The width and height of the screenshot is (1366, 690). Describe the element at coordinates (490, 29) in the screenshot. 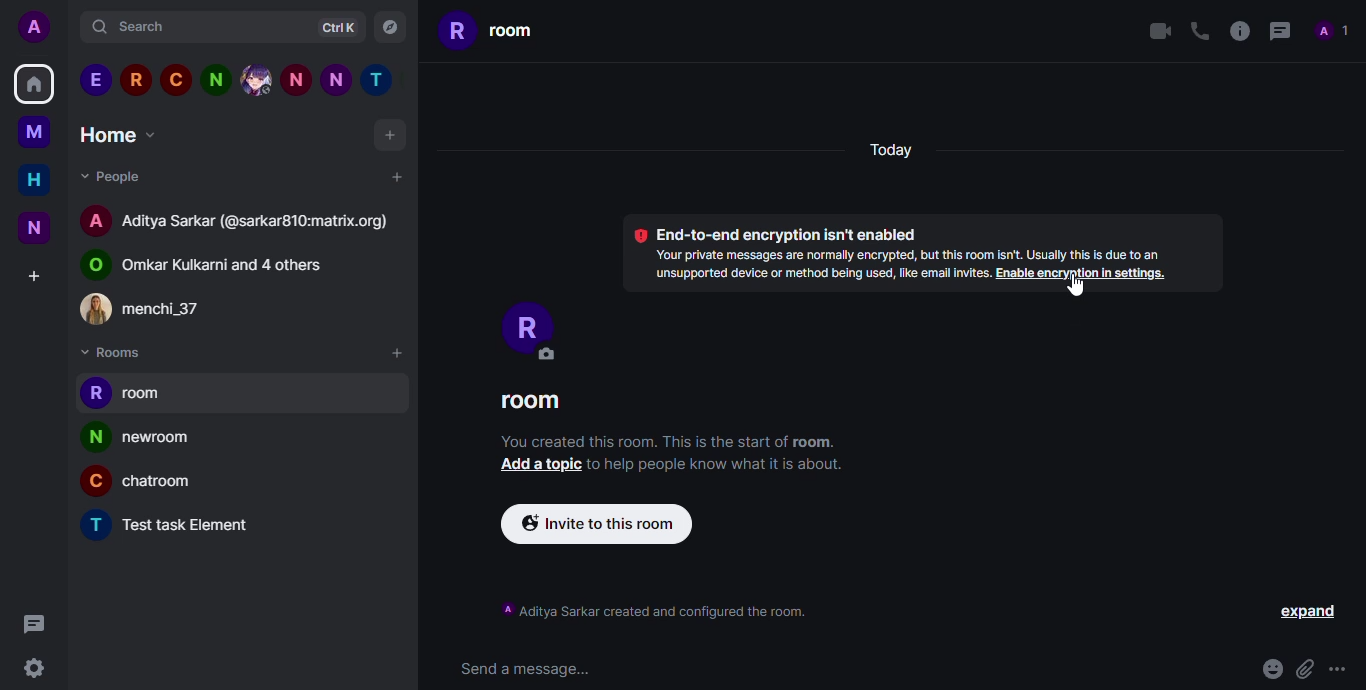

I see `room` at that location.